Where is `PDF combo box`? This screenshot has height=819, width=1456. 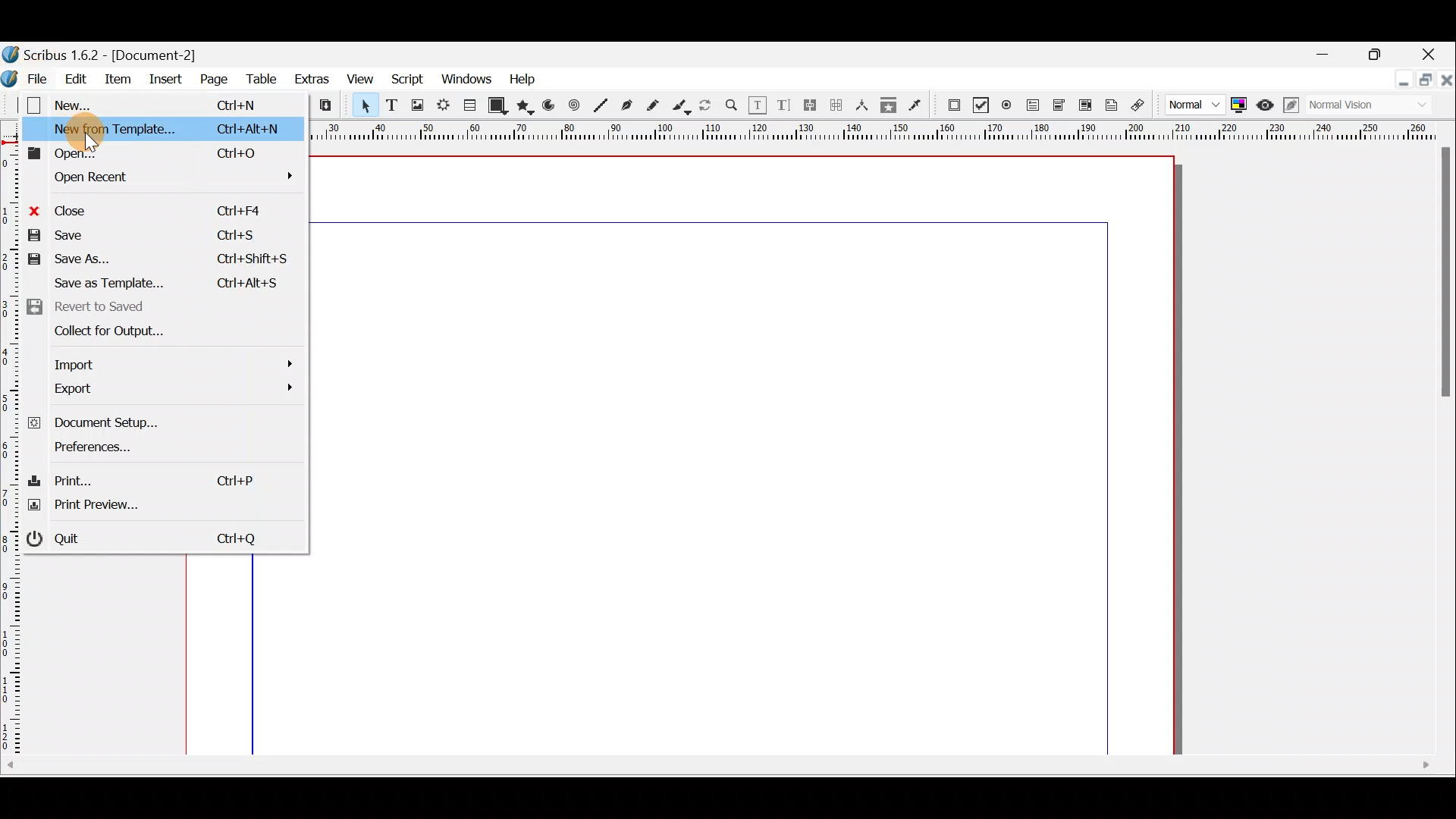
PDF combo box is located at coordinates (1057, 105).